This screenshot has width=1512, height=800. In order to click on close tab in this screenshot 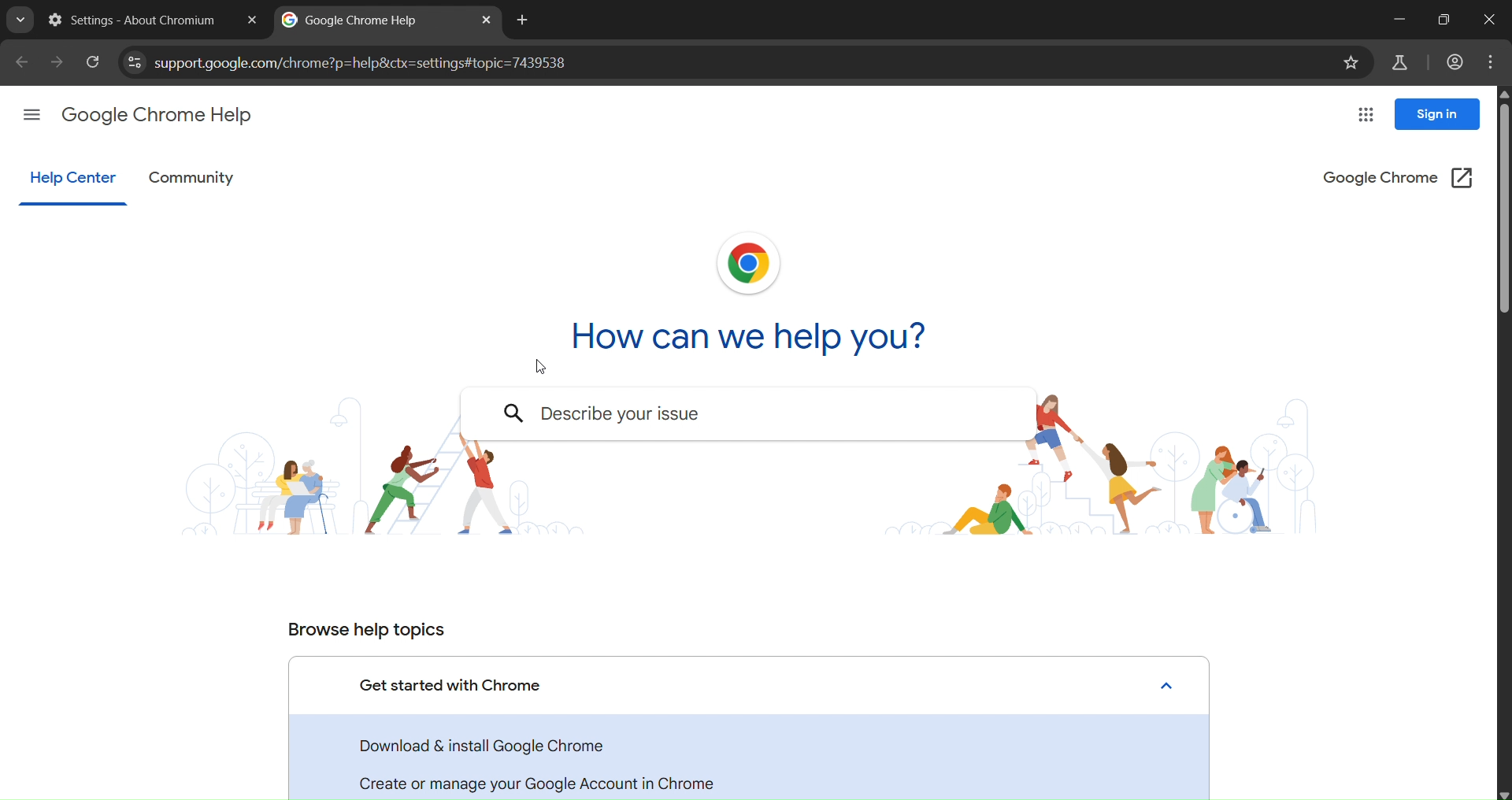, I will do `click(251, 20)`.